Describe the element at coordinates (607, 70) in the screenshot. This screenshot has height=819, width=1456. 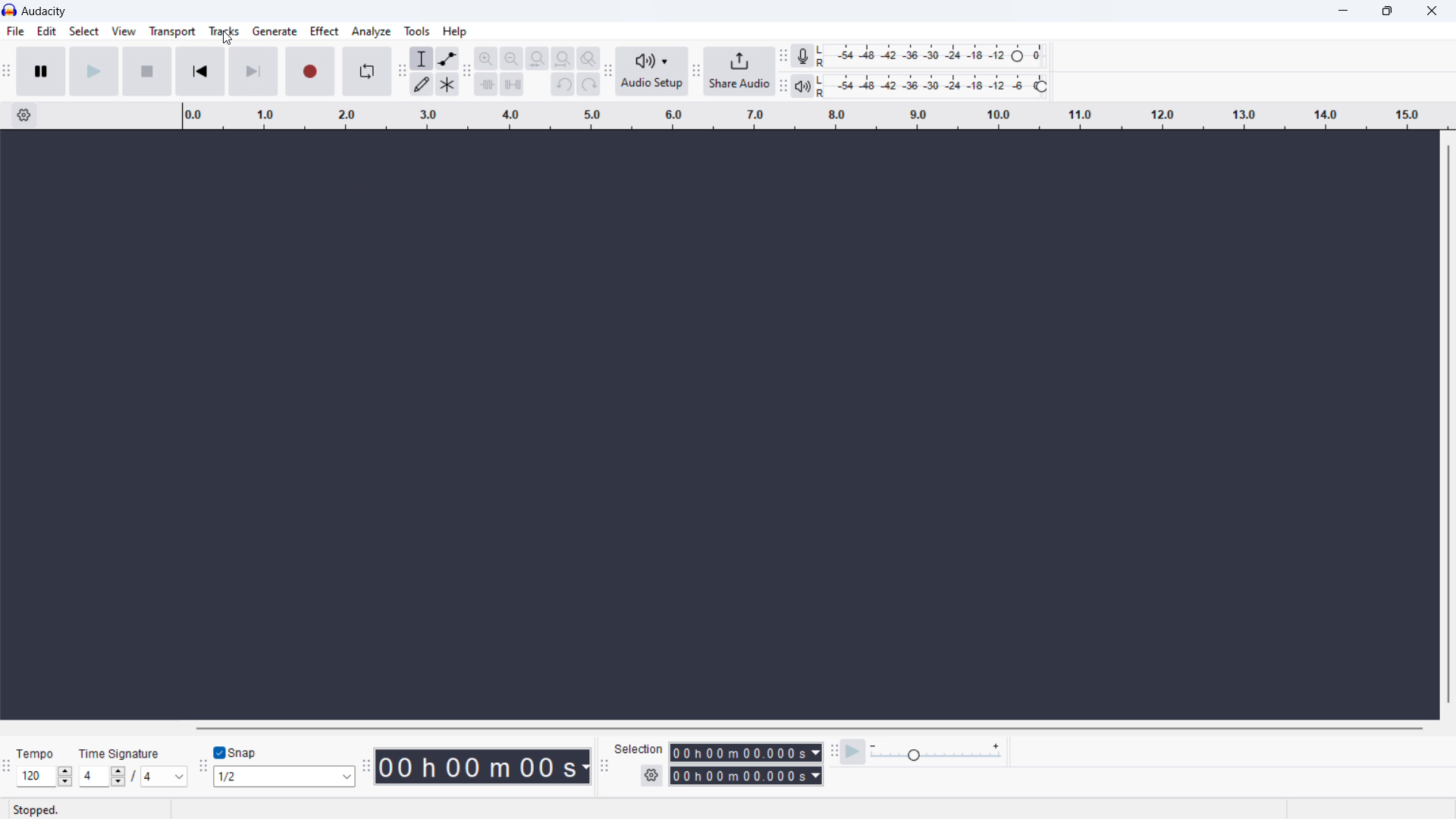
I see `audio setup toolbar` at that location.